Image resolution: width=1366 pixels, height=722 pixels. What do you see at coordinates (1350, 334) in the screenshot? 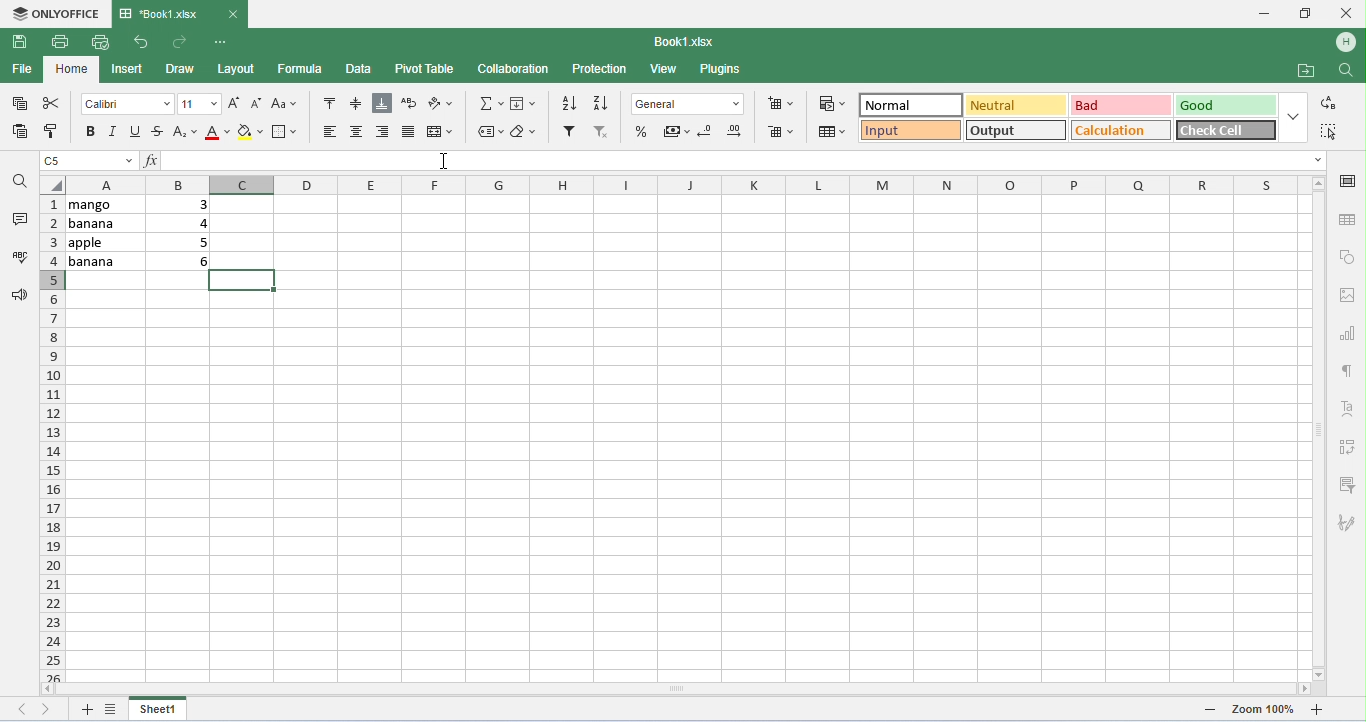
I see `chart settings` at bounding box center [1350, 334].